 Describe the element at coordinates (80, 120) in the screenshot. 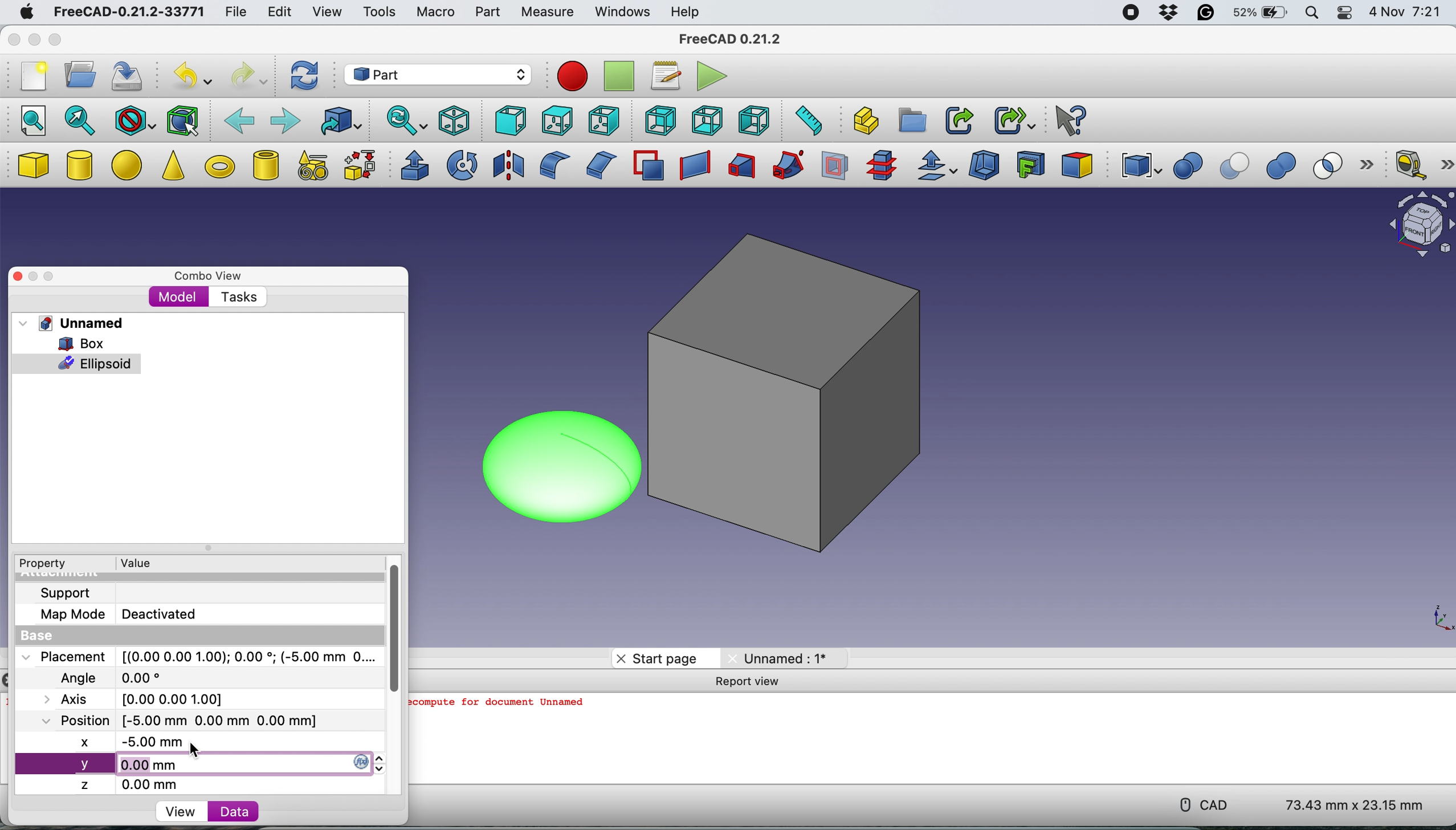

I see `fit selection` at that location.